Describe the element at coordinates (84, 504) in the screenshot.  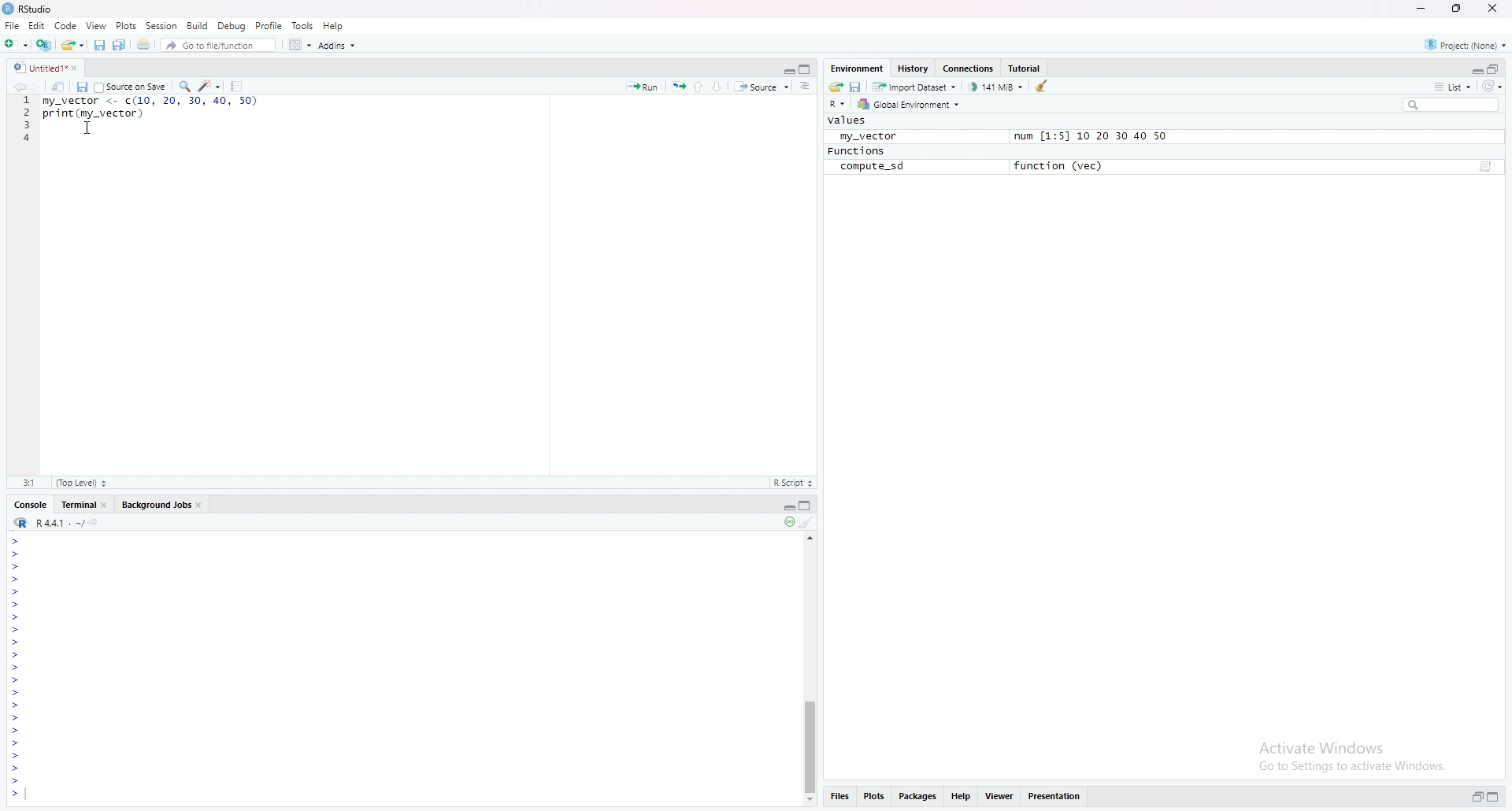
I see `Terminal` at that location.